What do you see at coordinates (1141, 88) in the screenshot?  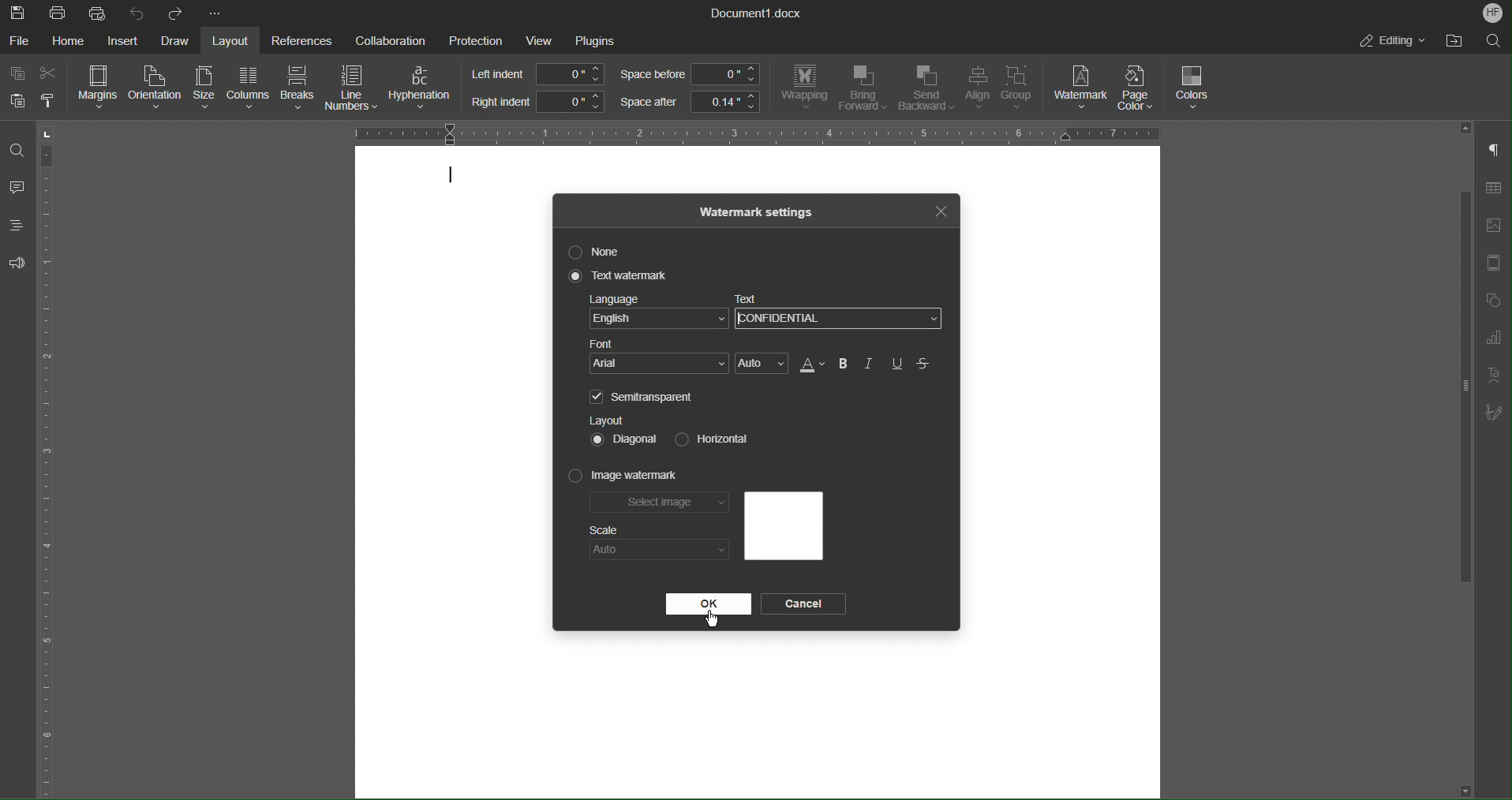 I see `Page Color` at bounding box center [1141, 88].